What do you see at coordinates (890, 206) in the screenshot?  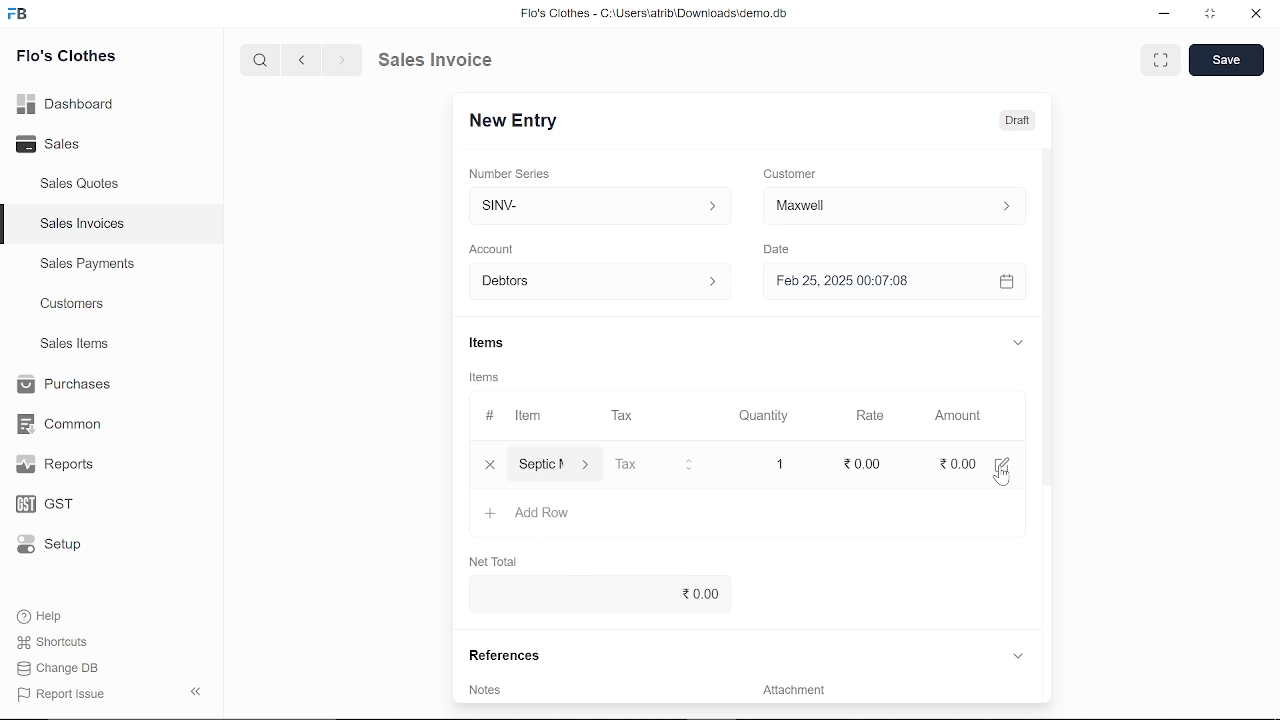 I see `Insert Customer` at bounding box center [890, 206].